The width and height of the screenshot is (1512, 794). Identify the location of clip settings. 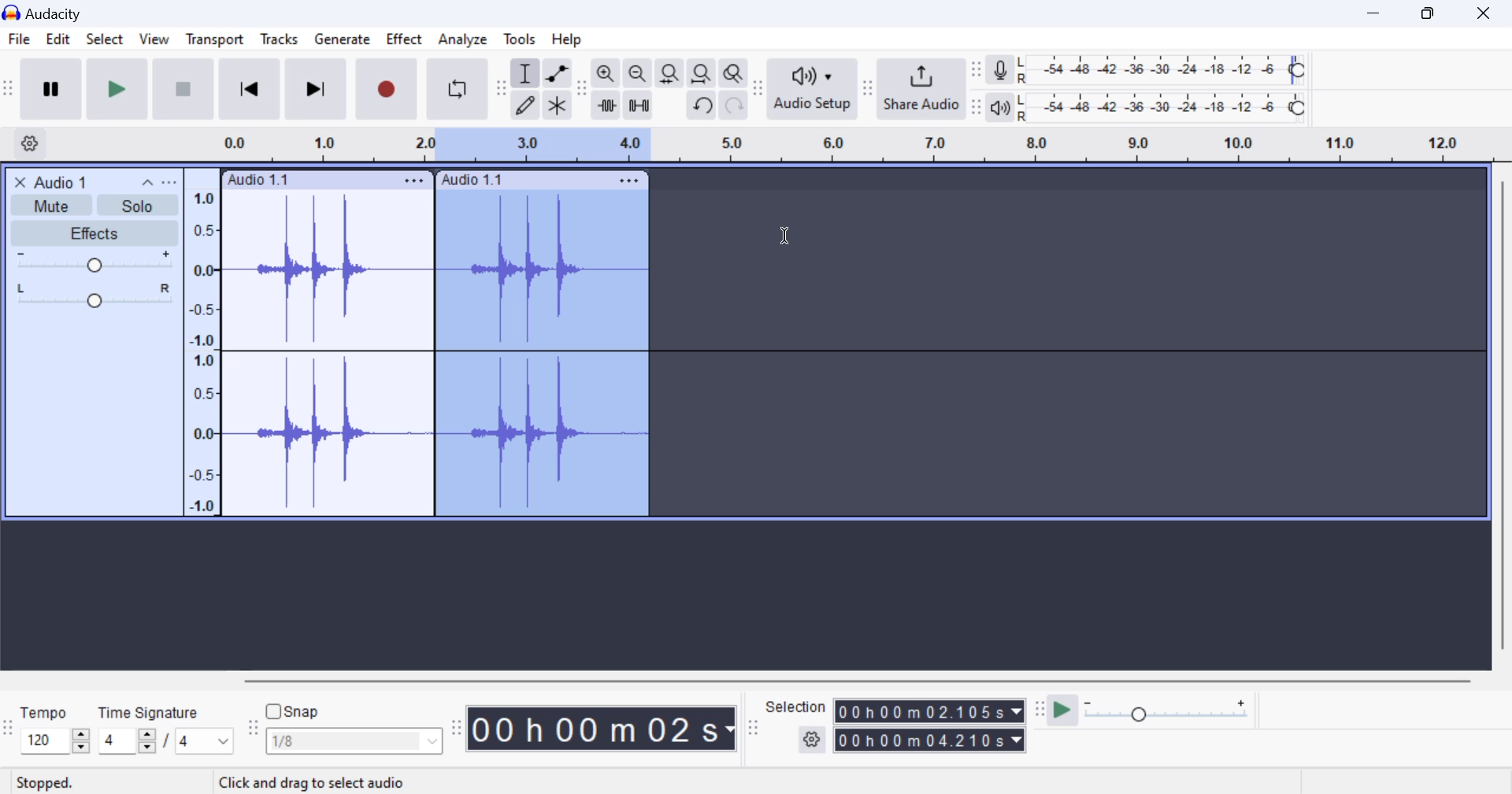
(632, 180).